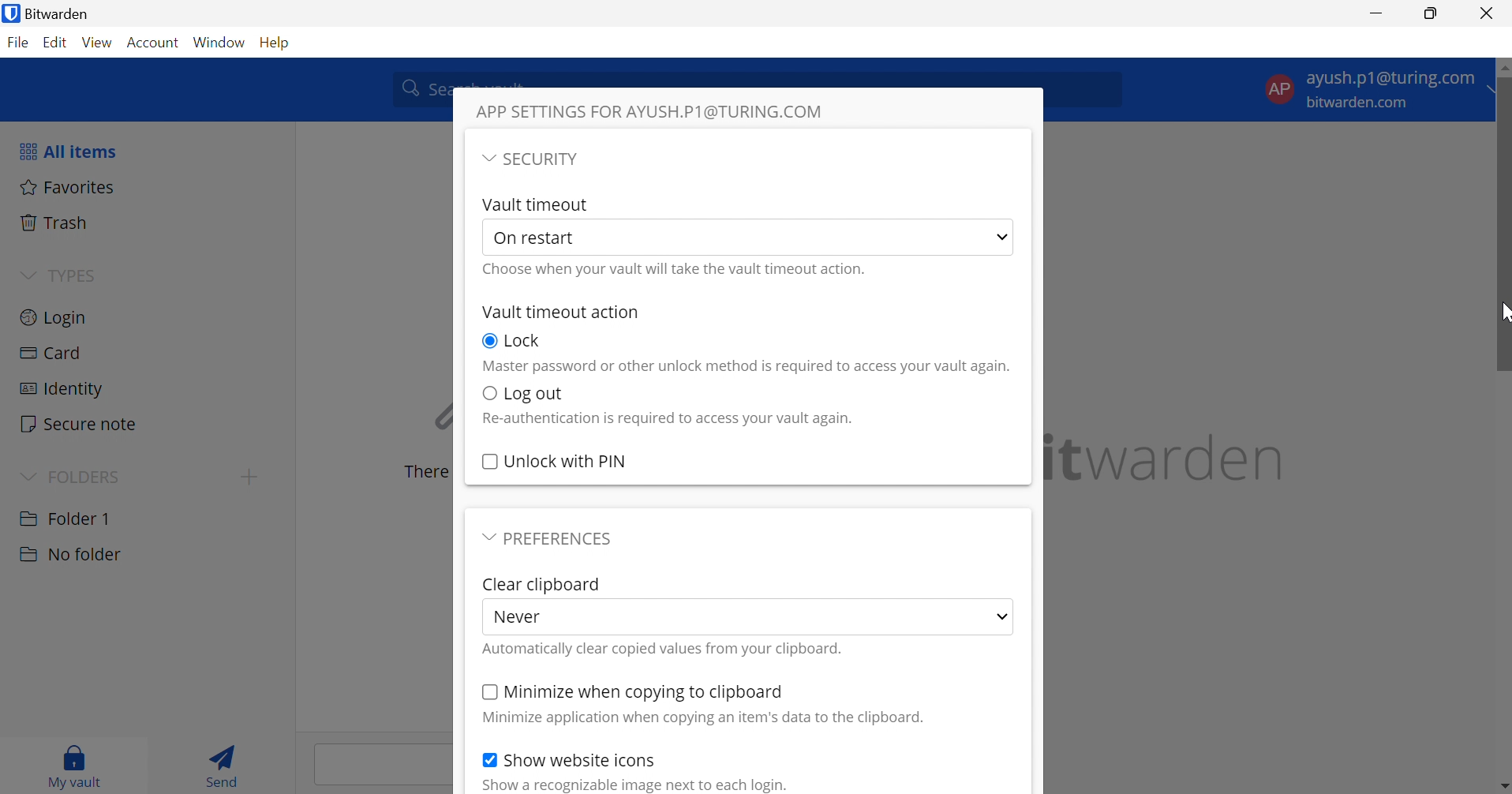  I want to click on Trash, so click(56, 223).